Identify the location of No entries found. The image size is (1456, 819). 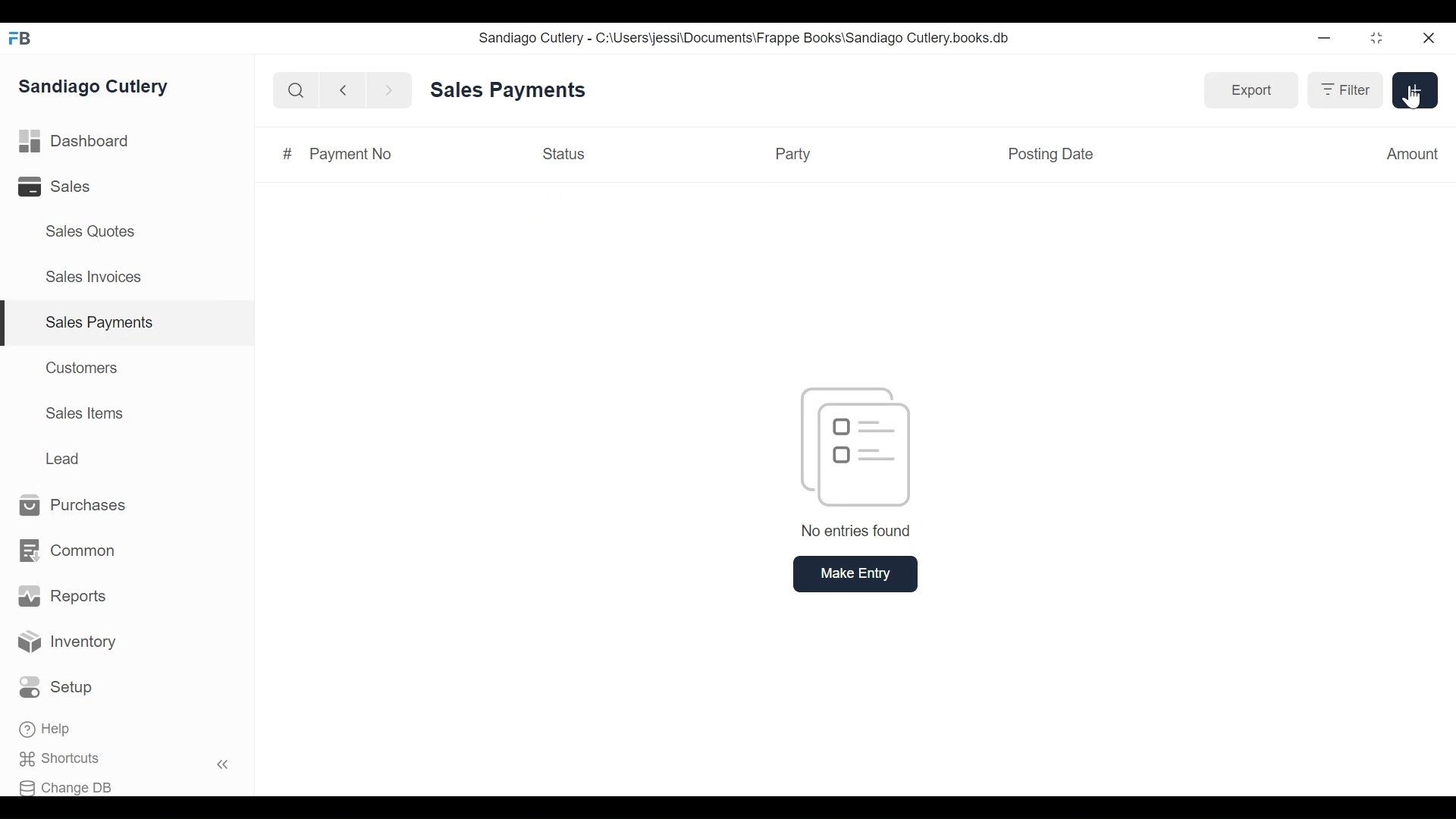
(858, 463).